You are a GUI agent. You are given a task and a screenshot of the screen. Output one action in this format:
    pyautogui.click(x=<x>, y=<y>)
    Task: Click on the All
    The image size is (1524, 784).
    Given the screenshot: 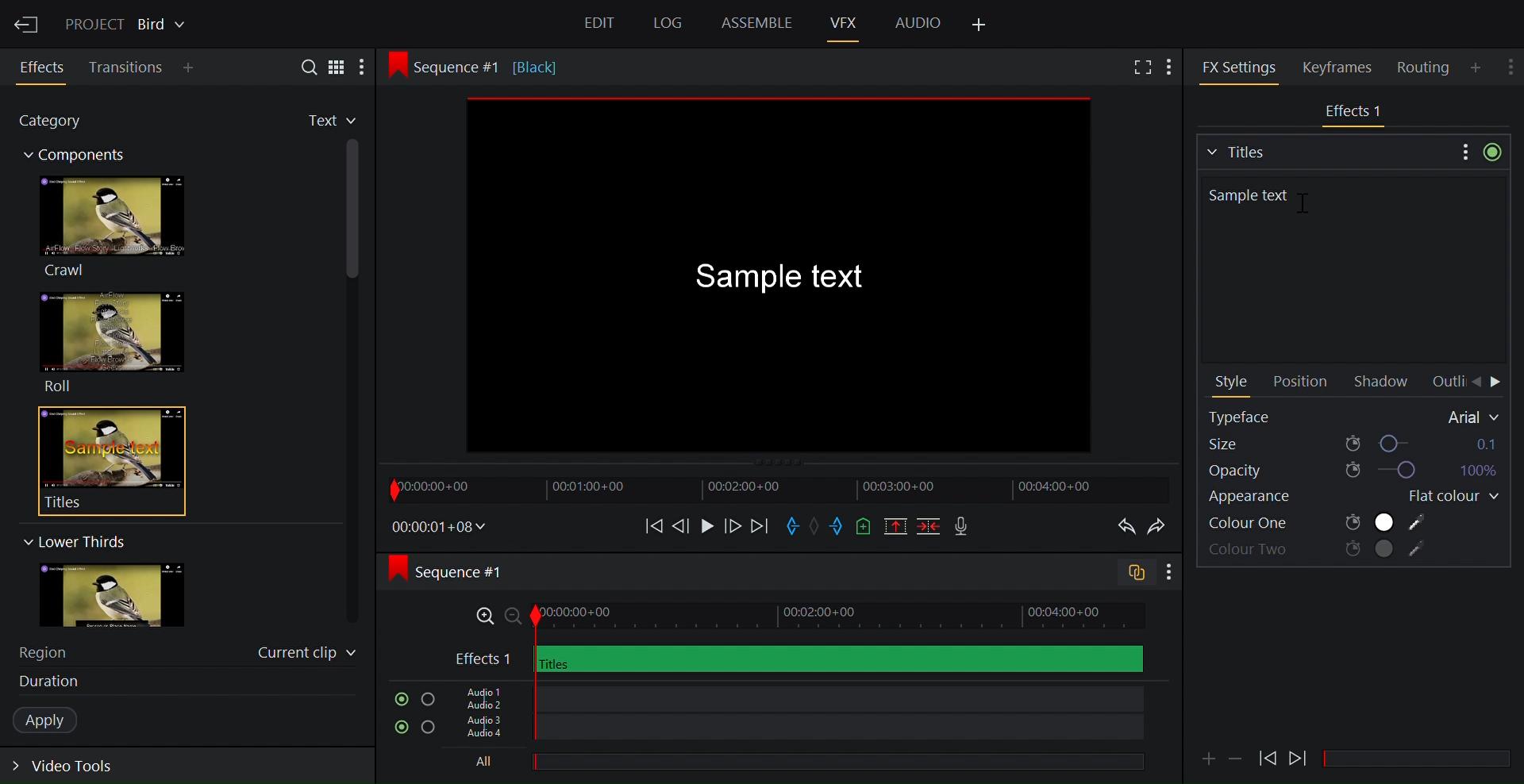 What is the action you would take?
    pyautogui.click(x=790, y=763)
    